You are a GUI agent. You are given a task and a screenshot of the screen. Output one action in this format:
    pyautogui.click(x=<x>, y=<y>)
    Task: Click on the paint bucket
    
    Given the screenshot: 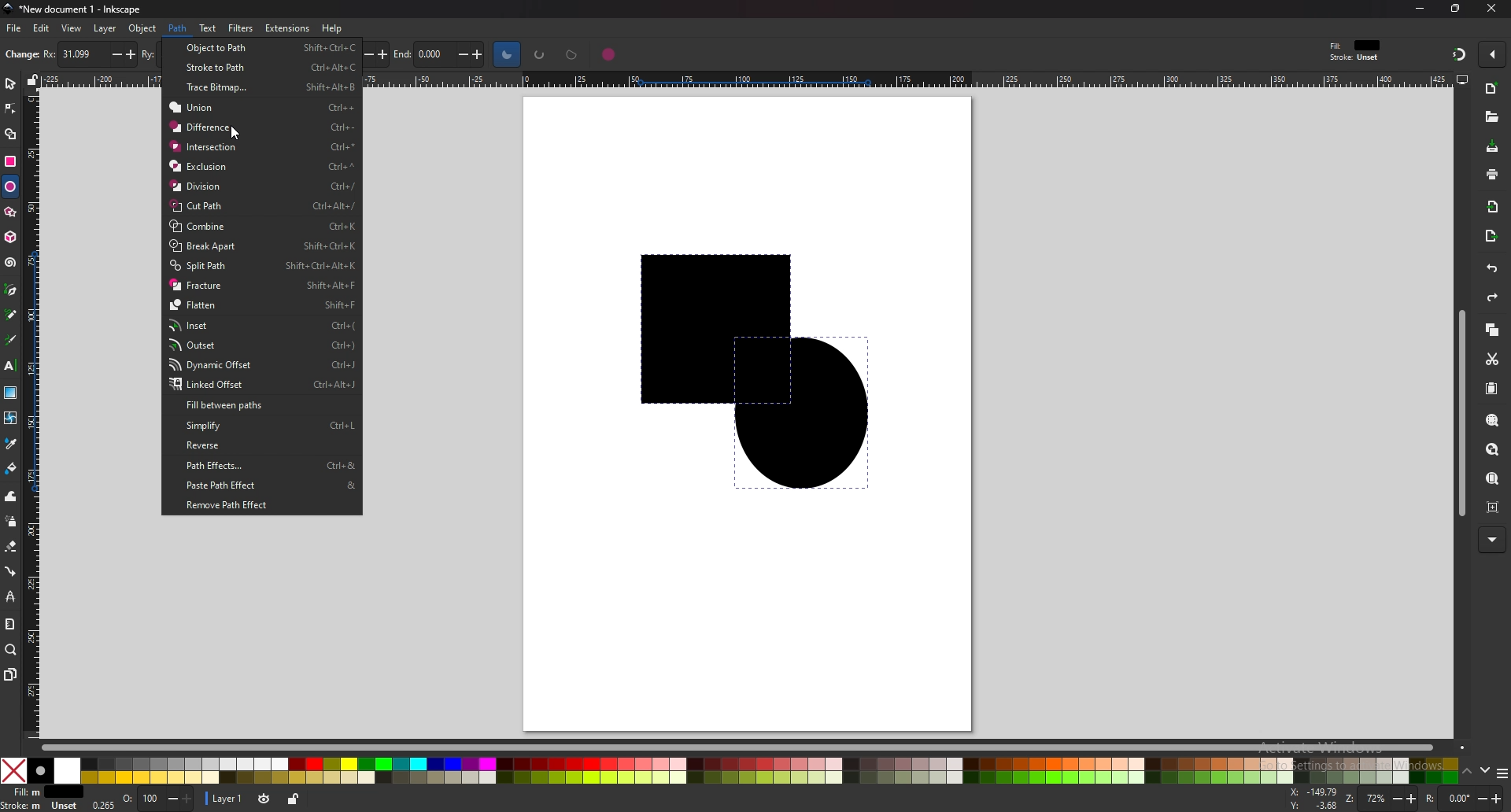 What is the action you would take?
    pyautogui.click(x=12, y=469)
    